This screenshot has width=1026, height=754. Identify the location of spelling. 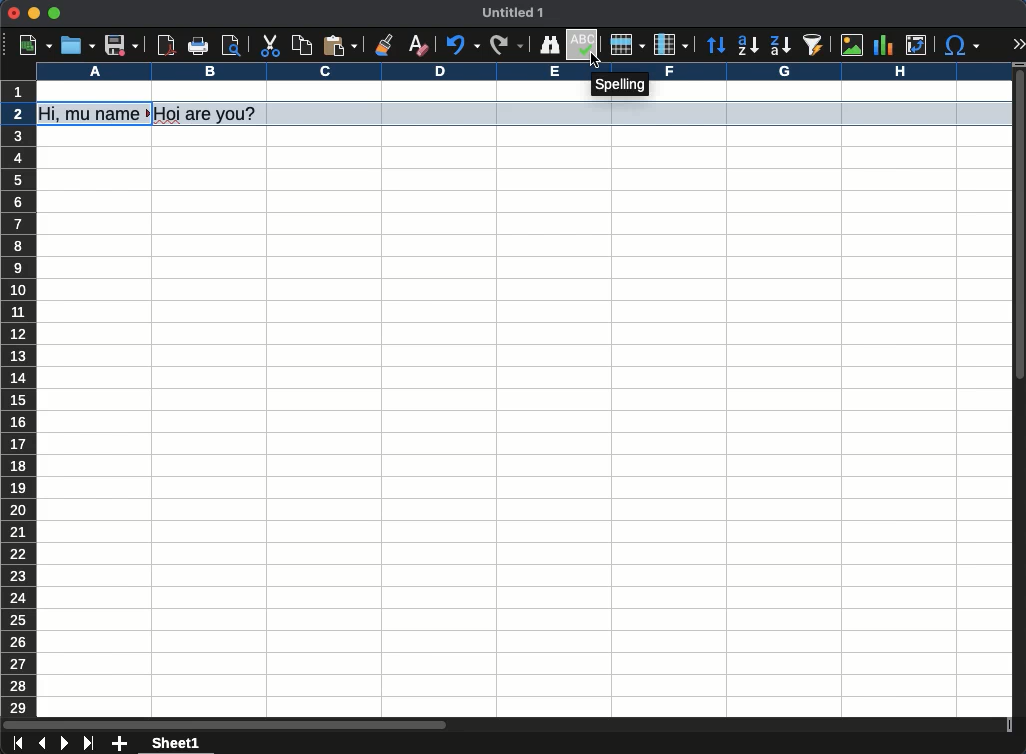
(621, 88).